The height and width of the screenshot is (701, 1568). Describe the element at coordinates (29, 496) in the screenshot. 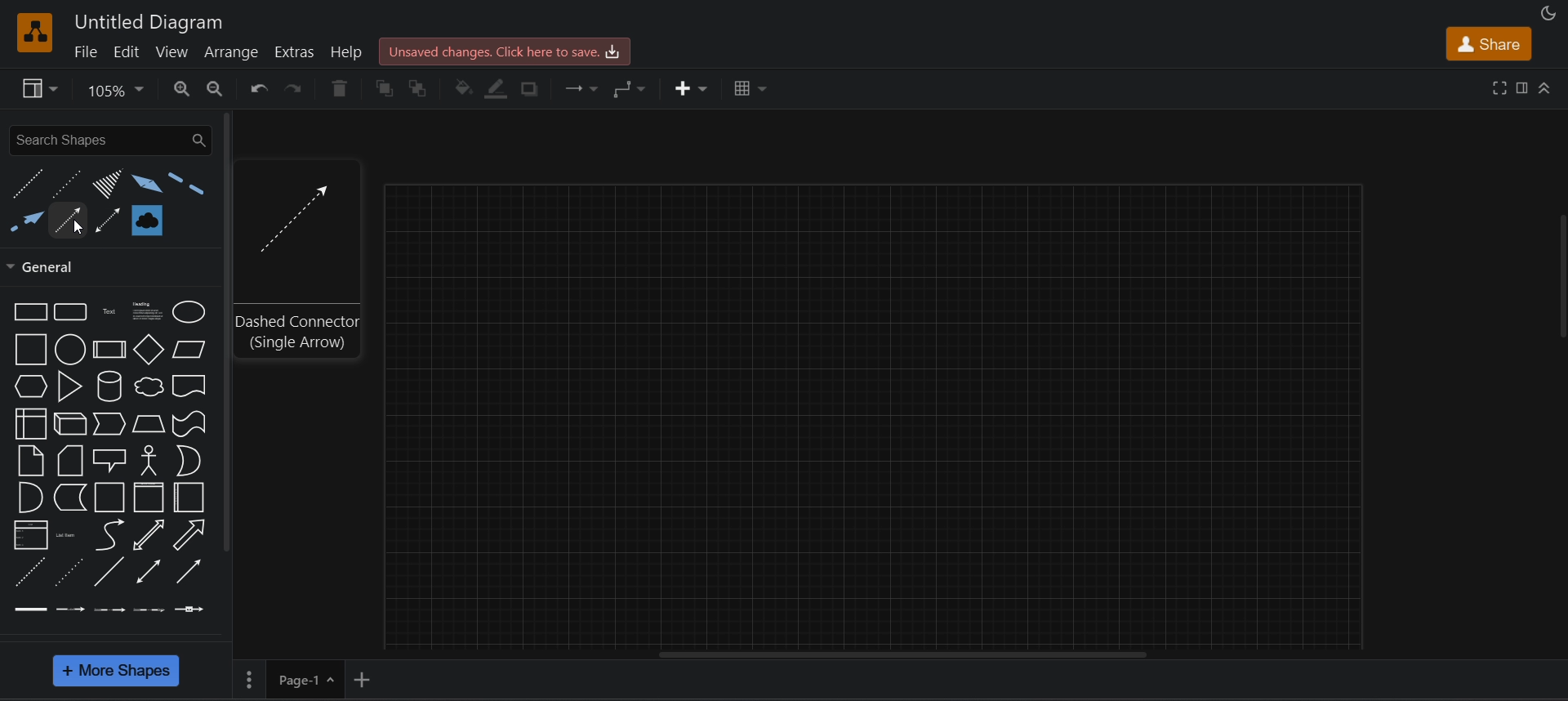

I see `and` at that location.